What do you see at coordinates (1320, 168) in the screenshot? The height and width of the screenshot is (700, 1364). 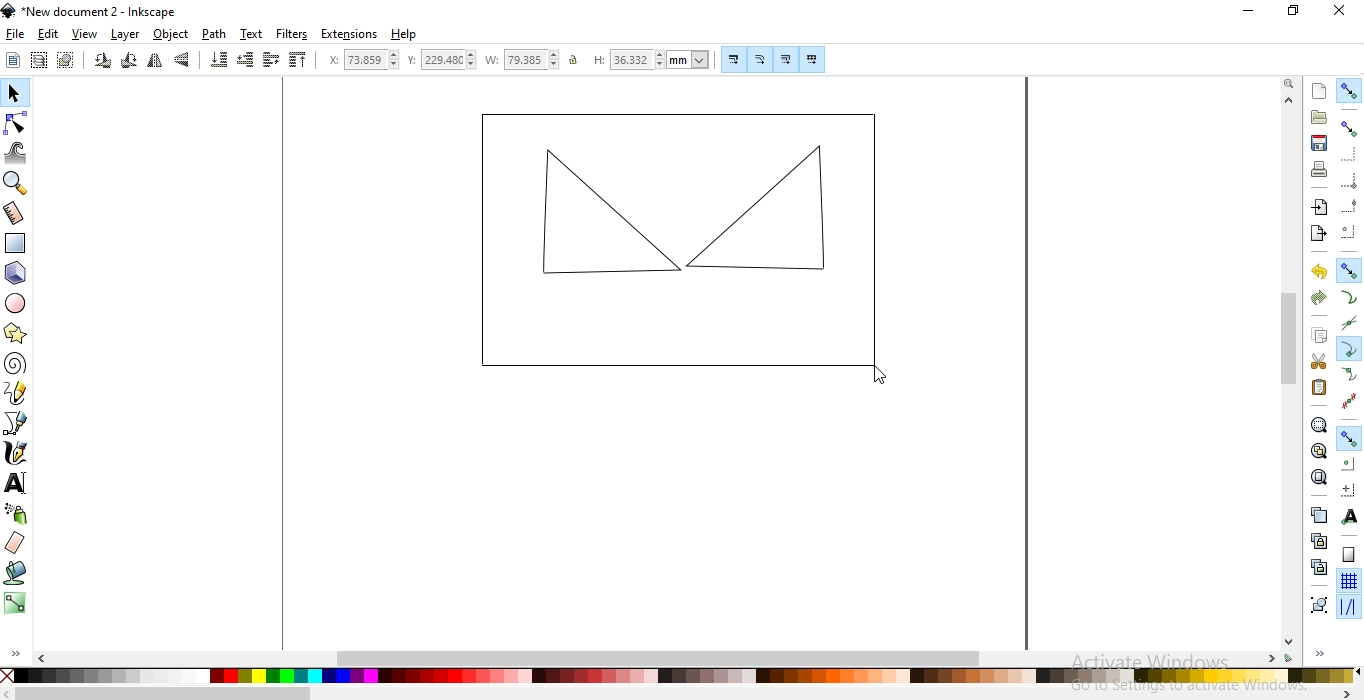 I see `print document` at bounding box center [1320, 168].